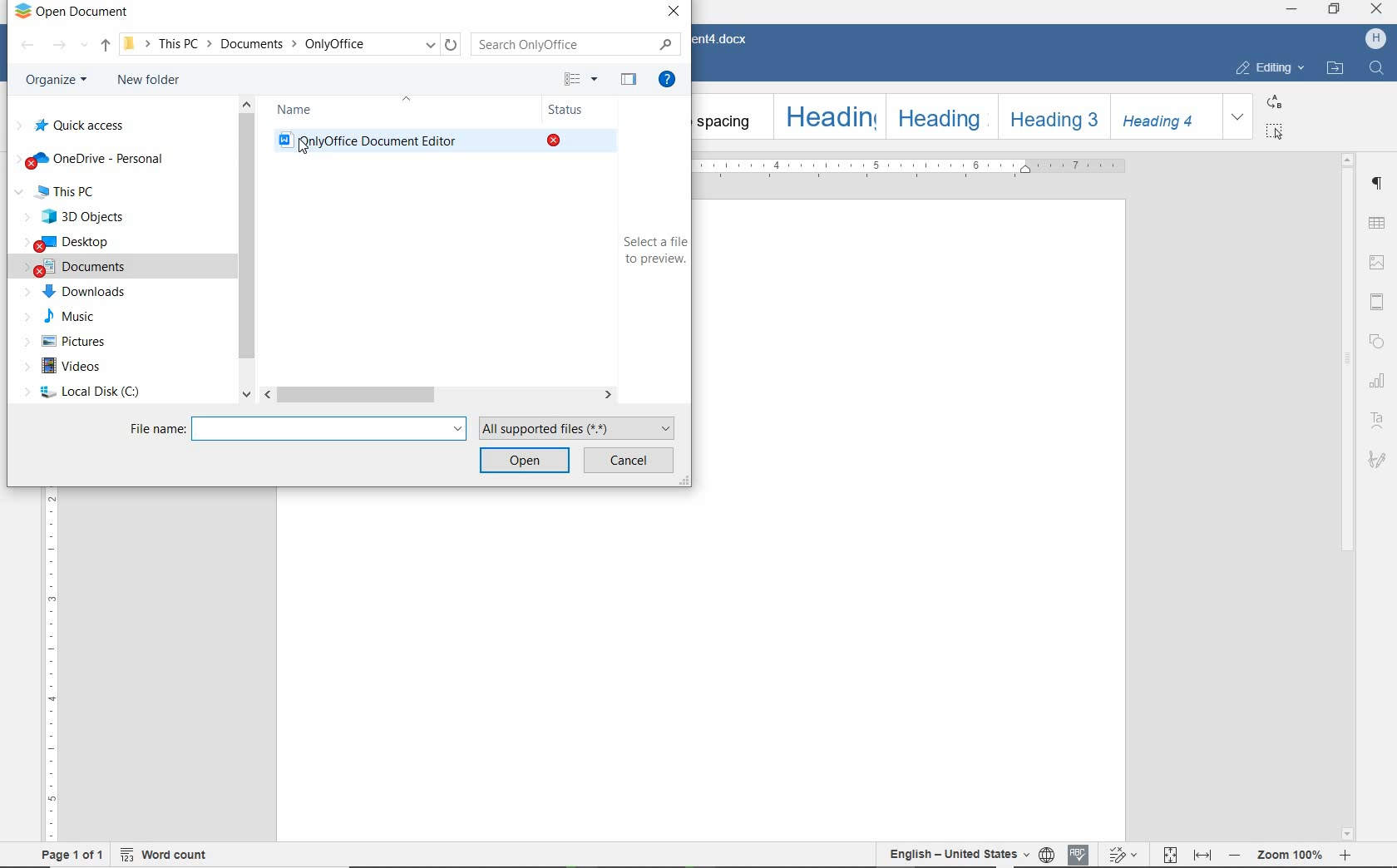 The width and height of the screenshot is (1397, 868). I want to click on Find, so click(1380, 76).